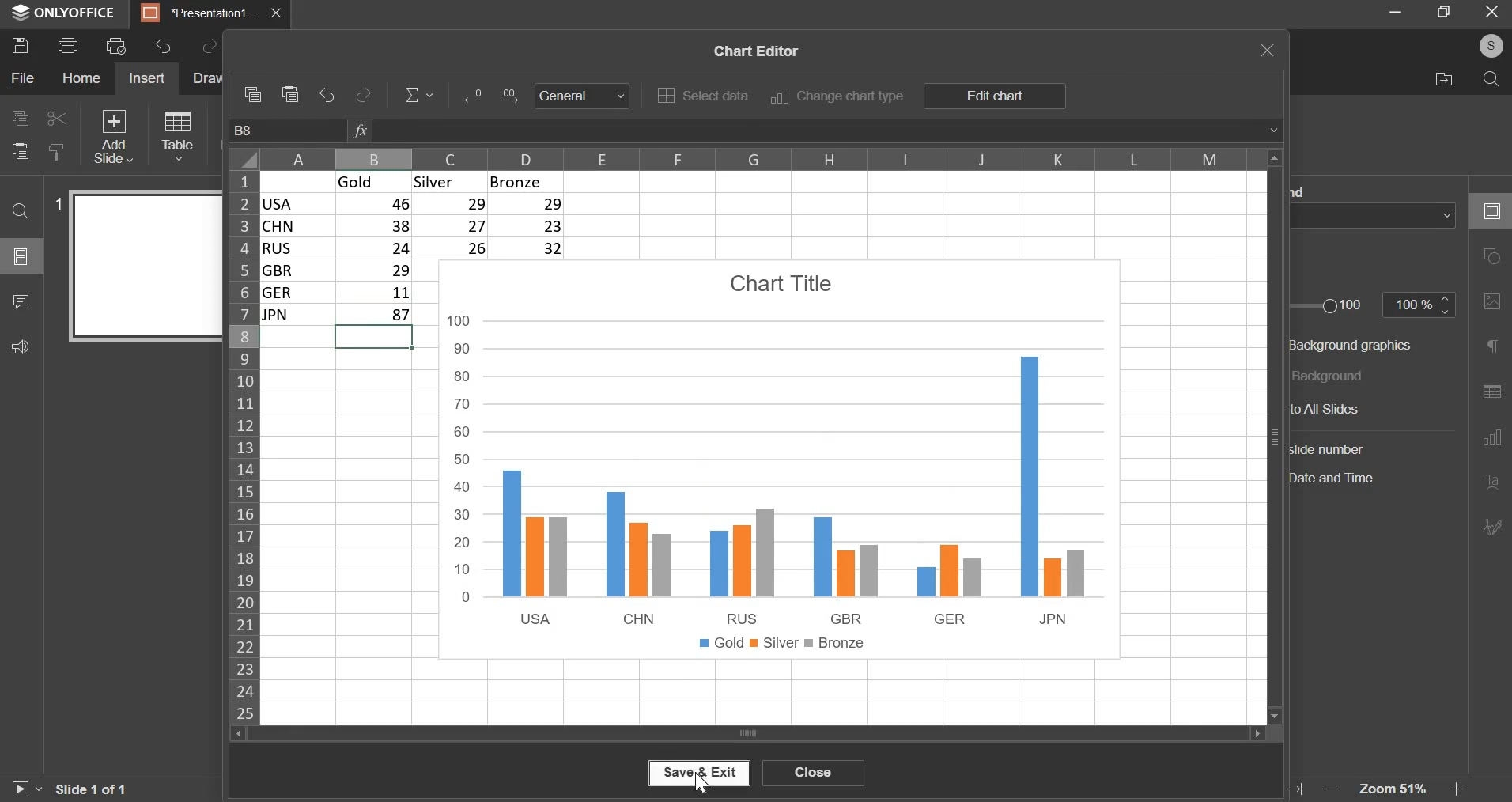 This screenshot has width=1512, height=802. I want to click on 27, so click(453, 226).